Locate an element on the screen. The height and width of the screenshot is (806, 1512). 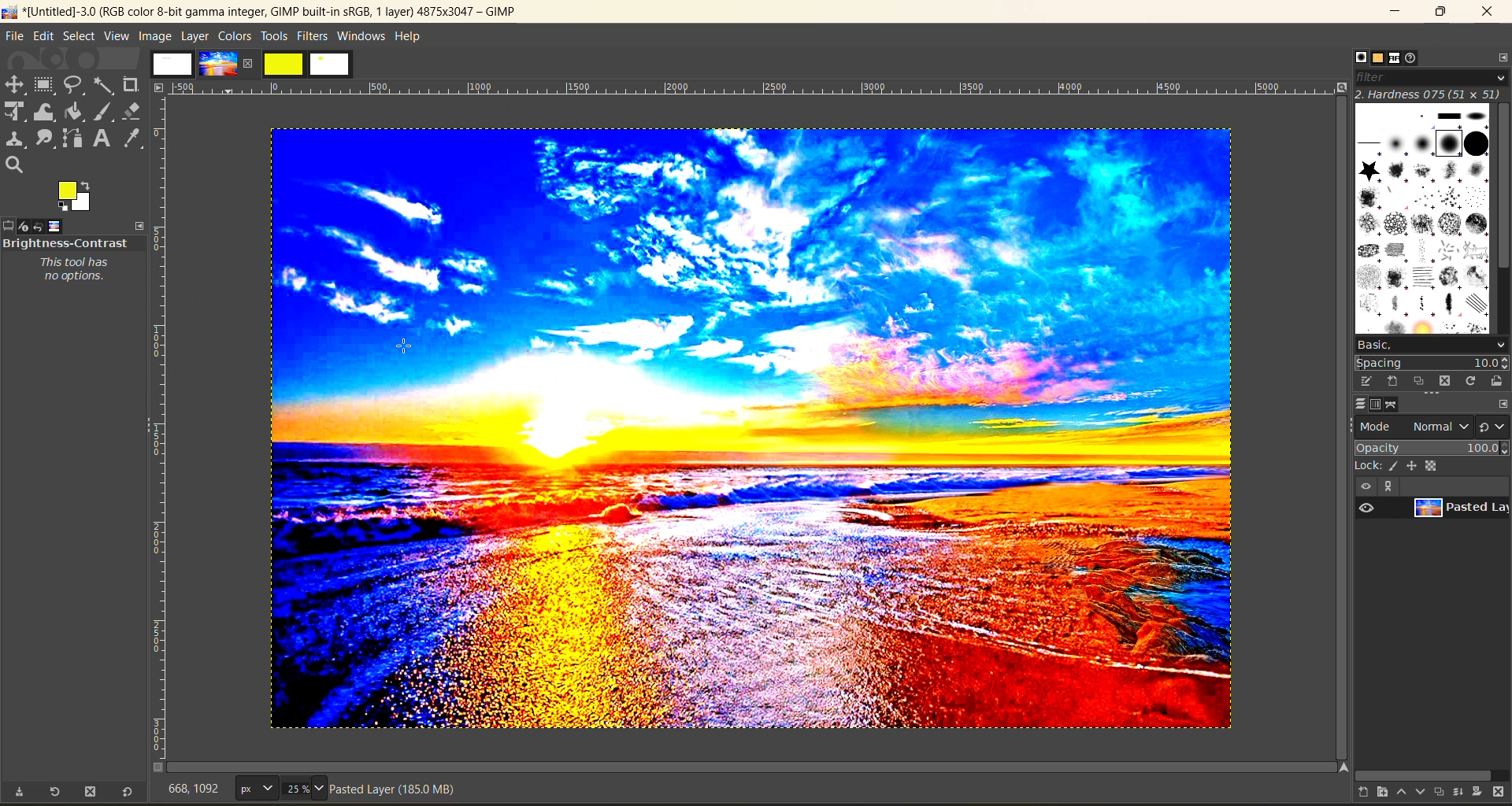
device status is located at coordinates (21, 227).